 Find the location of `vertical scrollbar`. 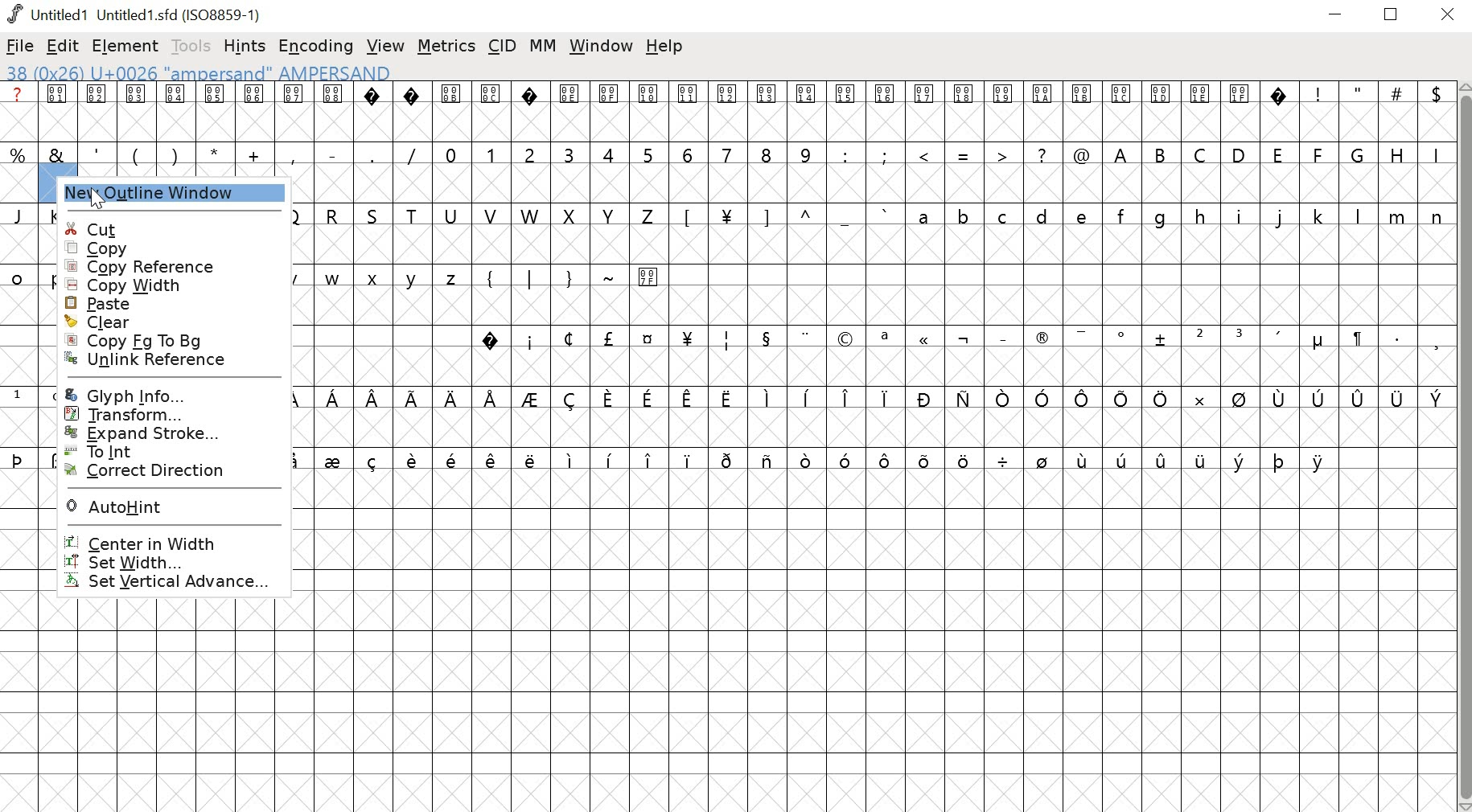

vertical scrollbar is located at coordinates (1463, 446).